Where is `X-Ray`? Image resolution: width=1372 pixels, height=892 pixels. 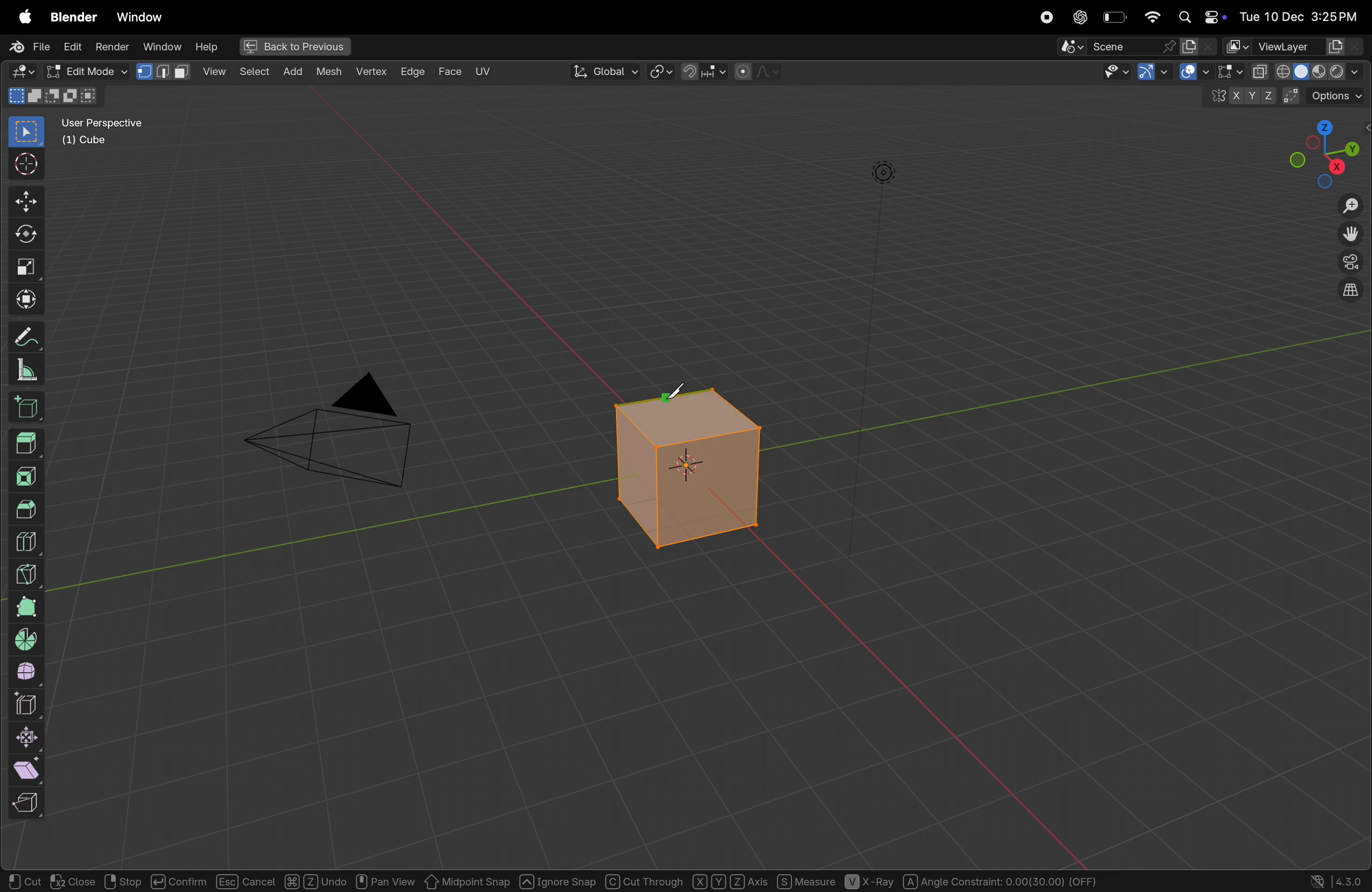 X-Ray is located at coordinates (870, 882).